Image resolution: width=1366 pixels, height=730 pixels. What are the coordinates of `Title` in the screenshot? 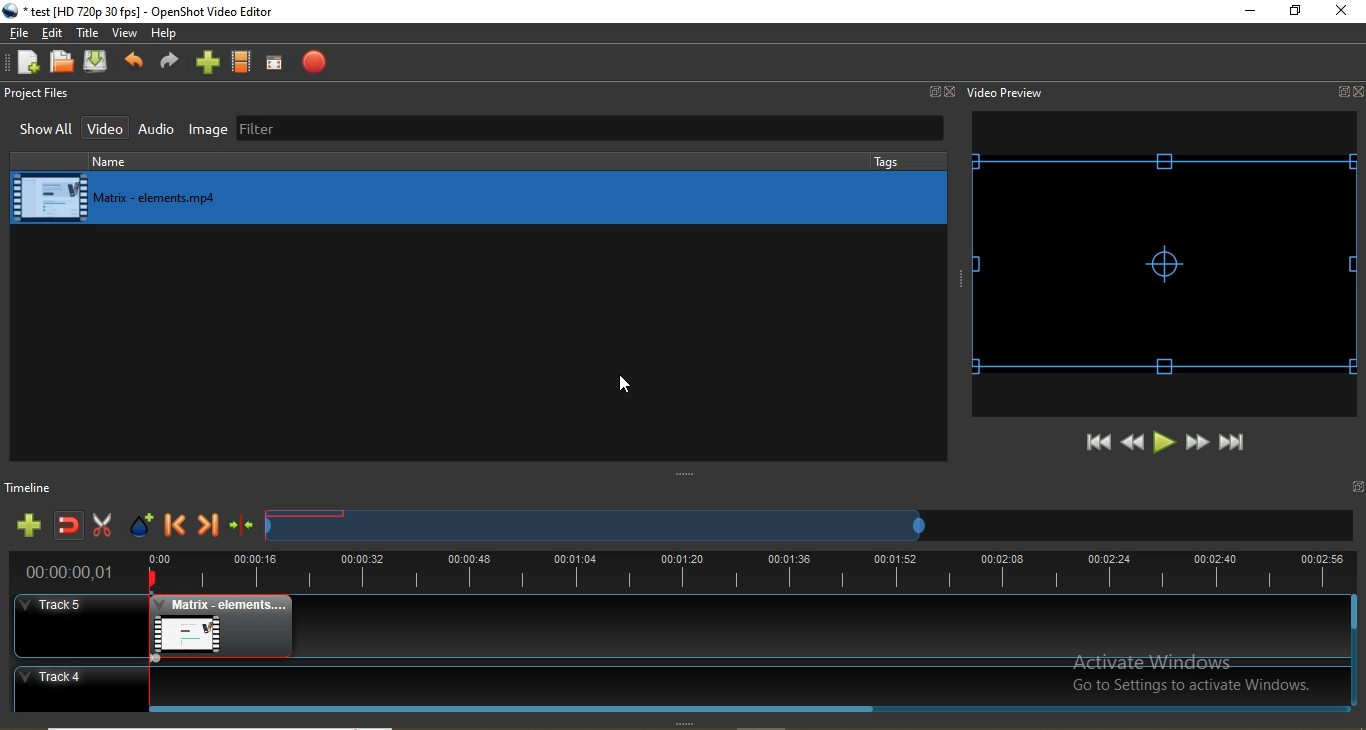 It's located at (89, 34).